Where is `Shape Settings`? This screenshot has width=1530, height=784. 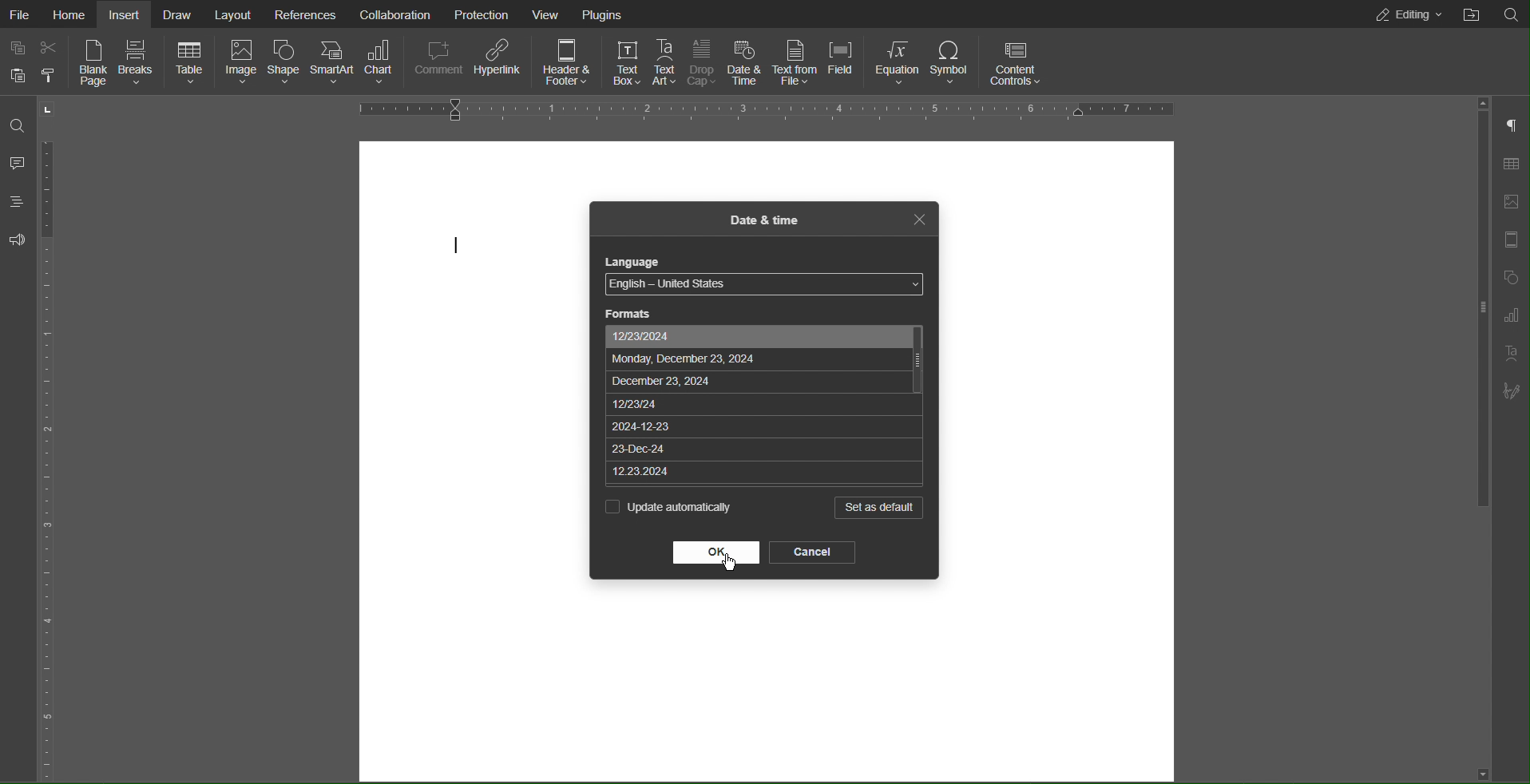
Shape Settings is located at coordinates (1514, 279).